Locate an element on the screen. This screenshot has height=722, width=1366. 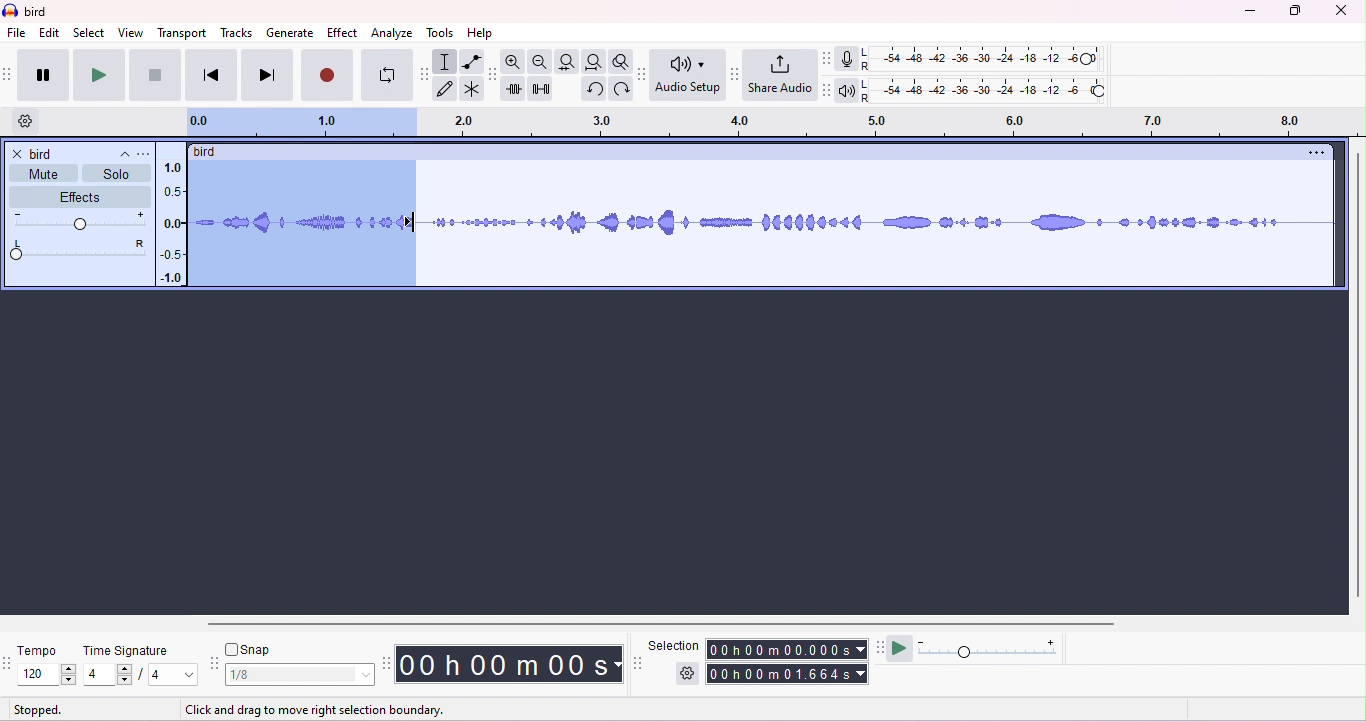
effects is located at coordinates (78, 197).